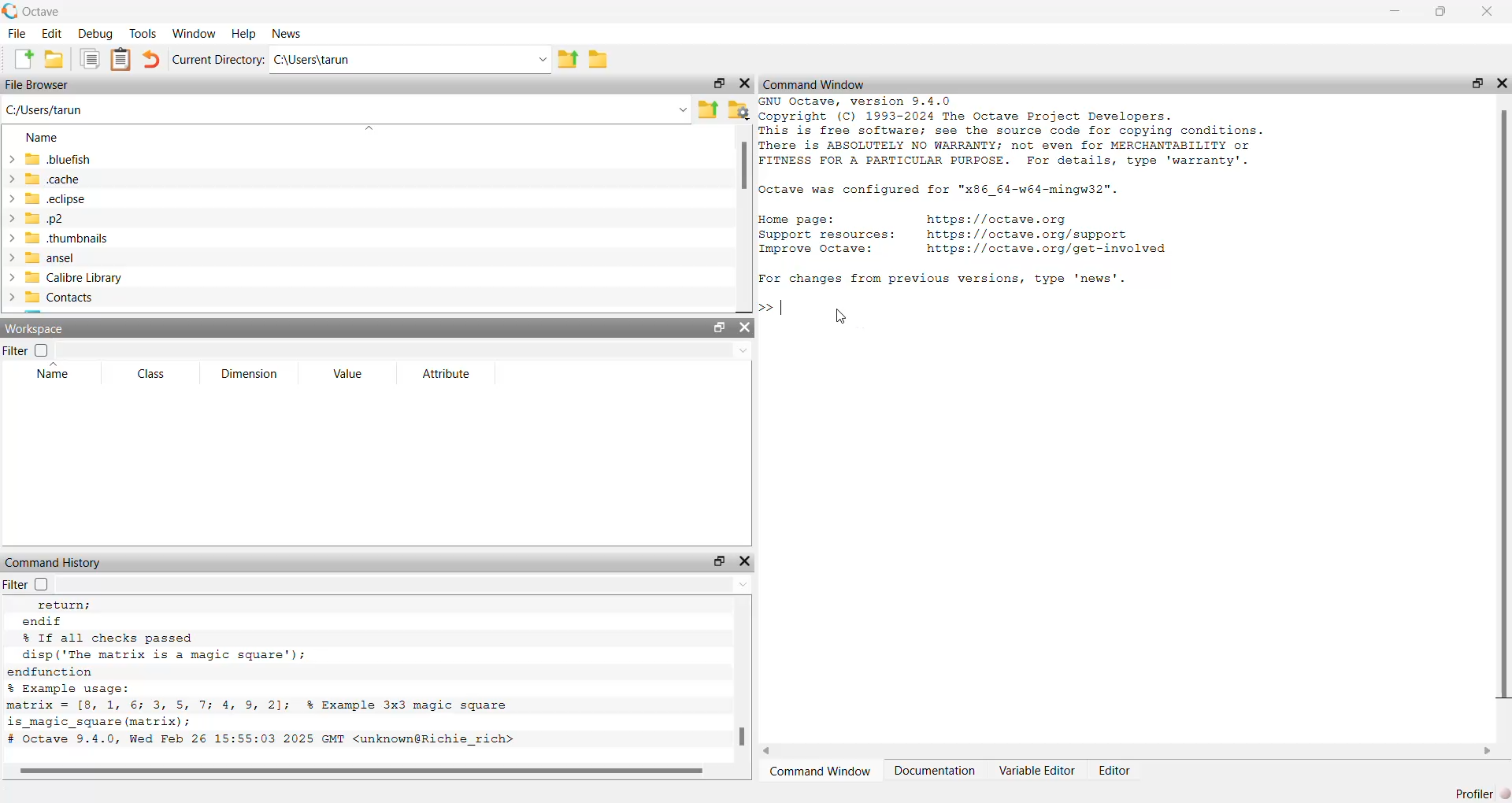 The height and width of the screenshot is (803, 1512). What do you see at coordinates (741, 168) in the screenshot?
I see `scroll bar` at bounding box center [741, 168].